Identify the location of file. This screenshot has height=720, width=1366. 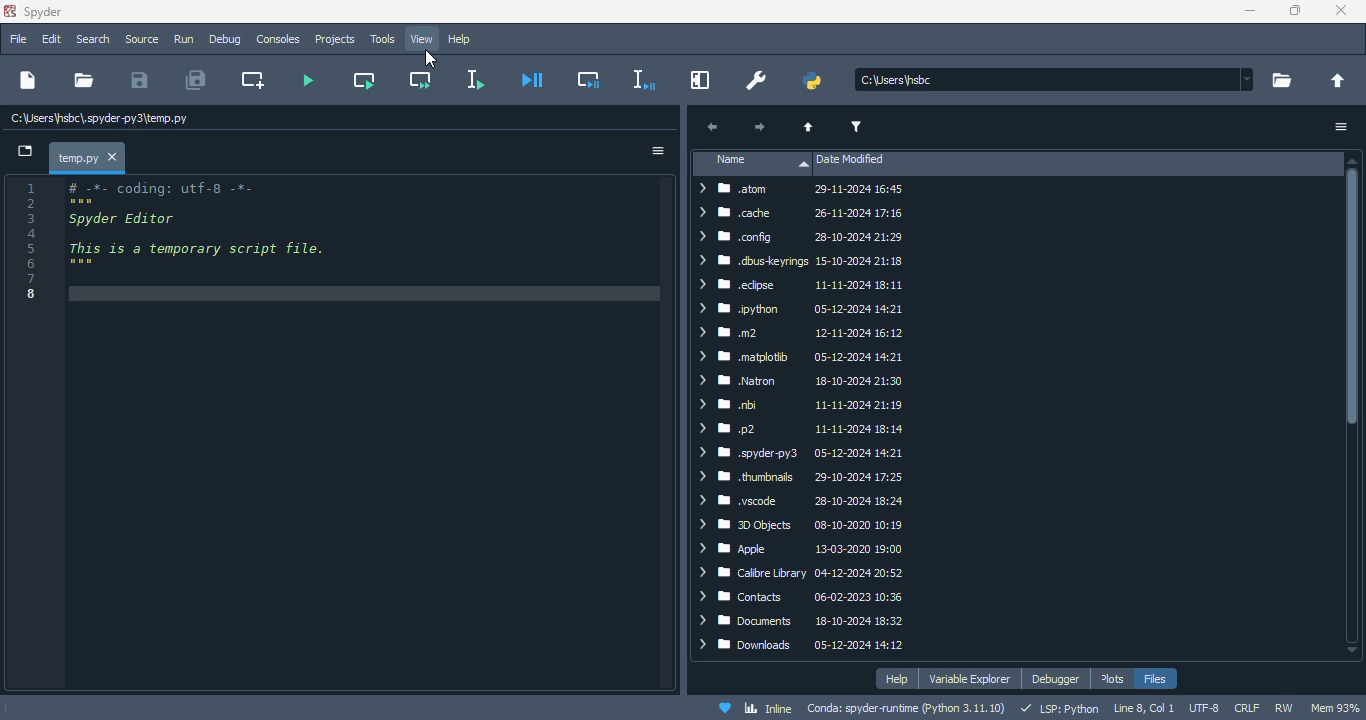
(16, 38).